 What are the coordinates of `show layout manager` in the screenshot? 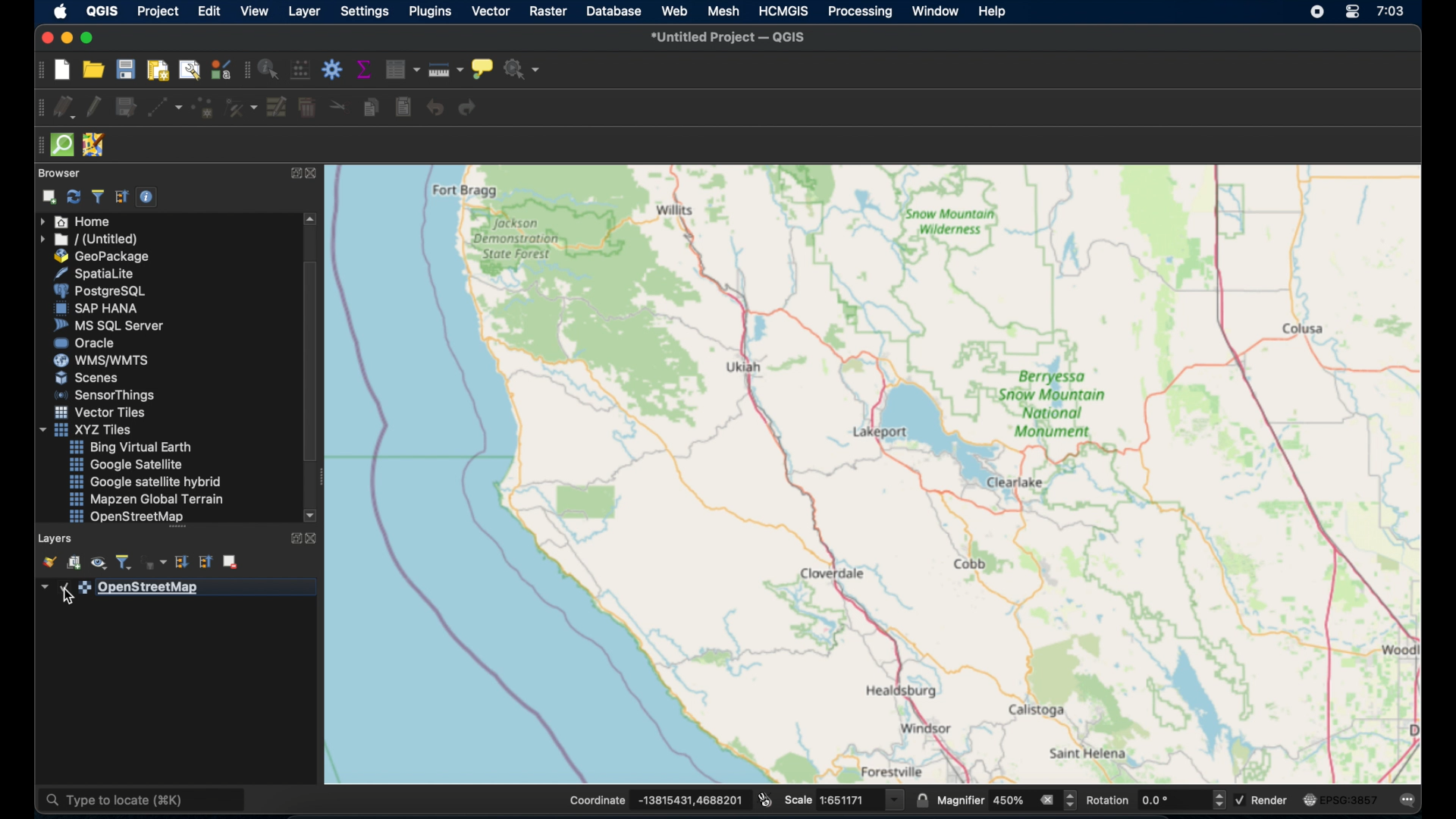 It's located at (189, 71).